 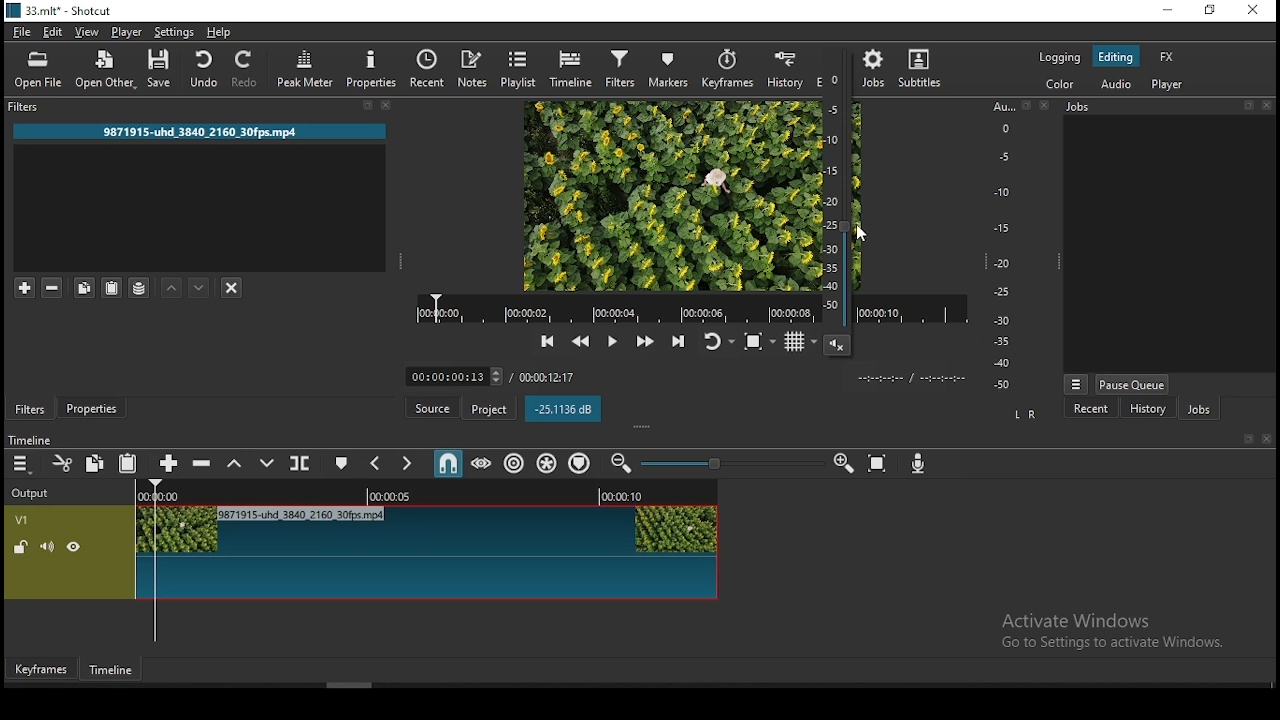 I want to click on peak meter, so click(x=307, y=70).